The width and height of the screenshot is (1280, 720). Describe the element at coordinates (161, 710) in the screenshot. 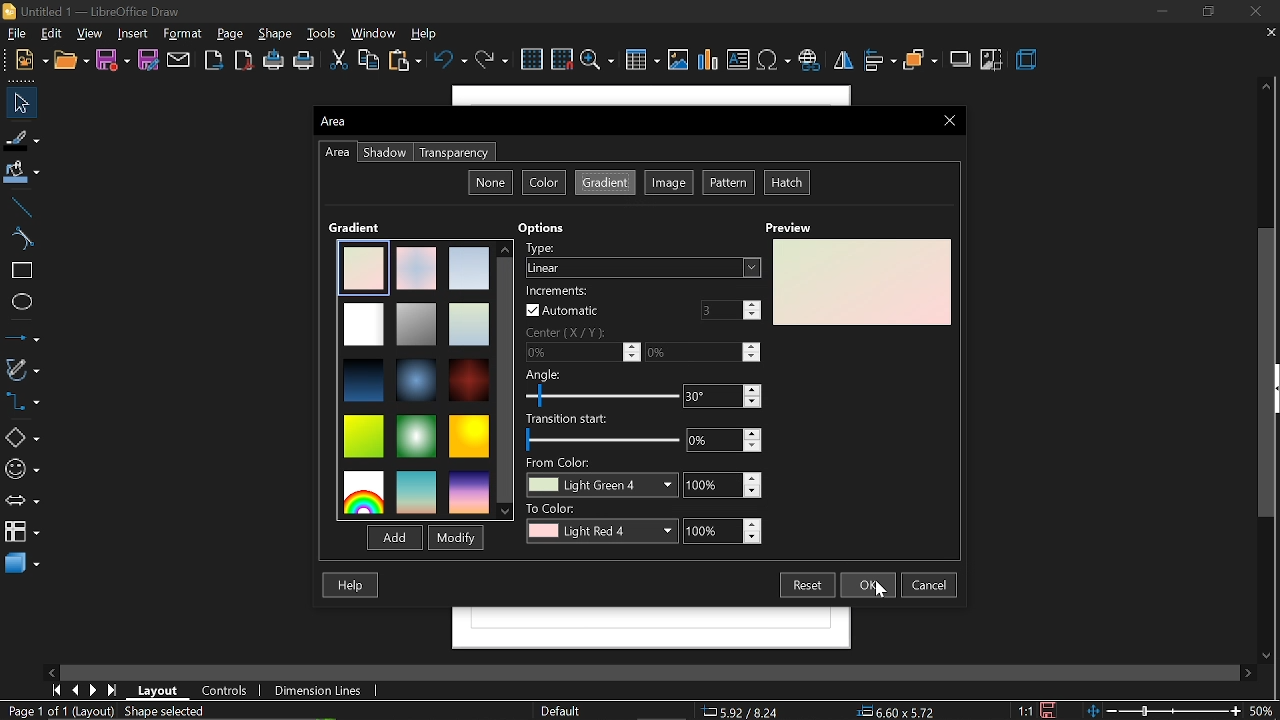

I see `shape selected` at that location.